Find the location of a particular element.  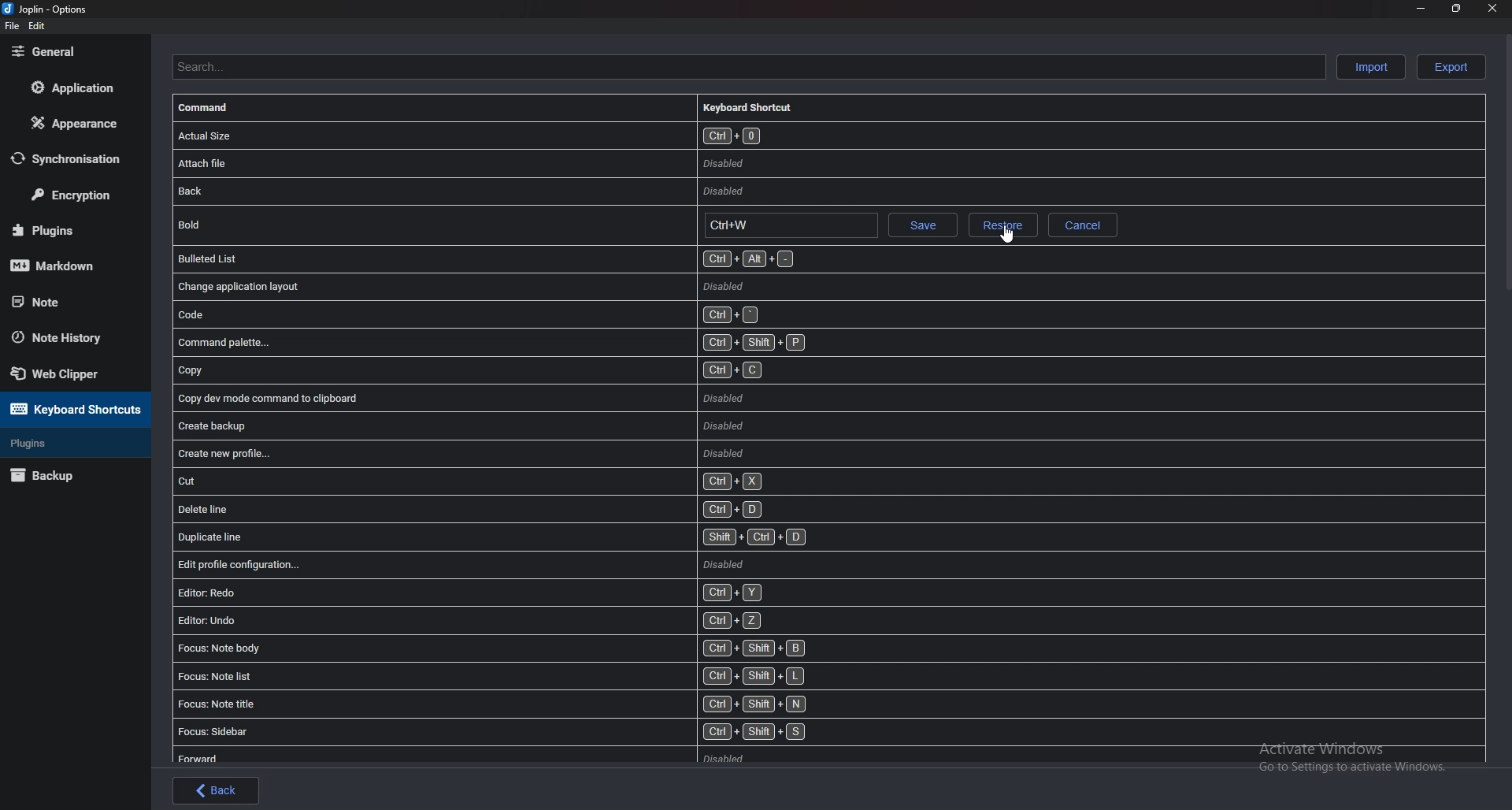

editor: ratio is located at coordinates (472, 592).